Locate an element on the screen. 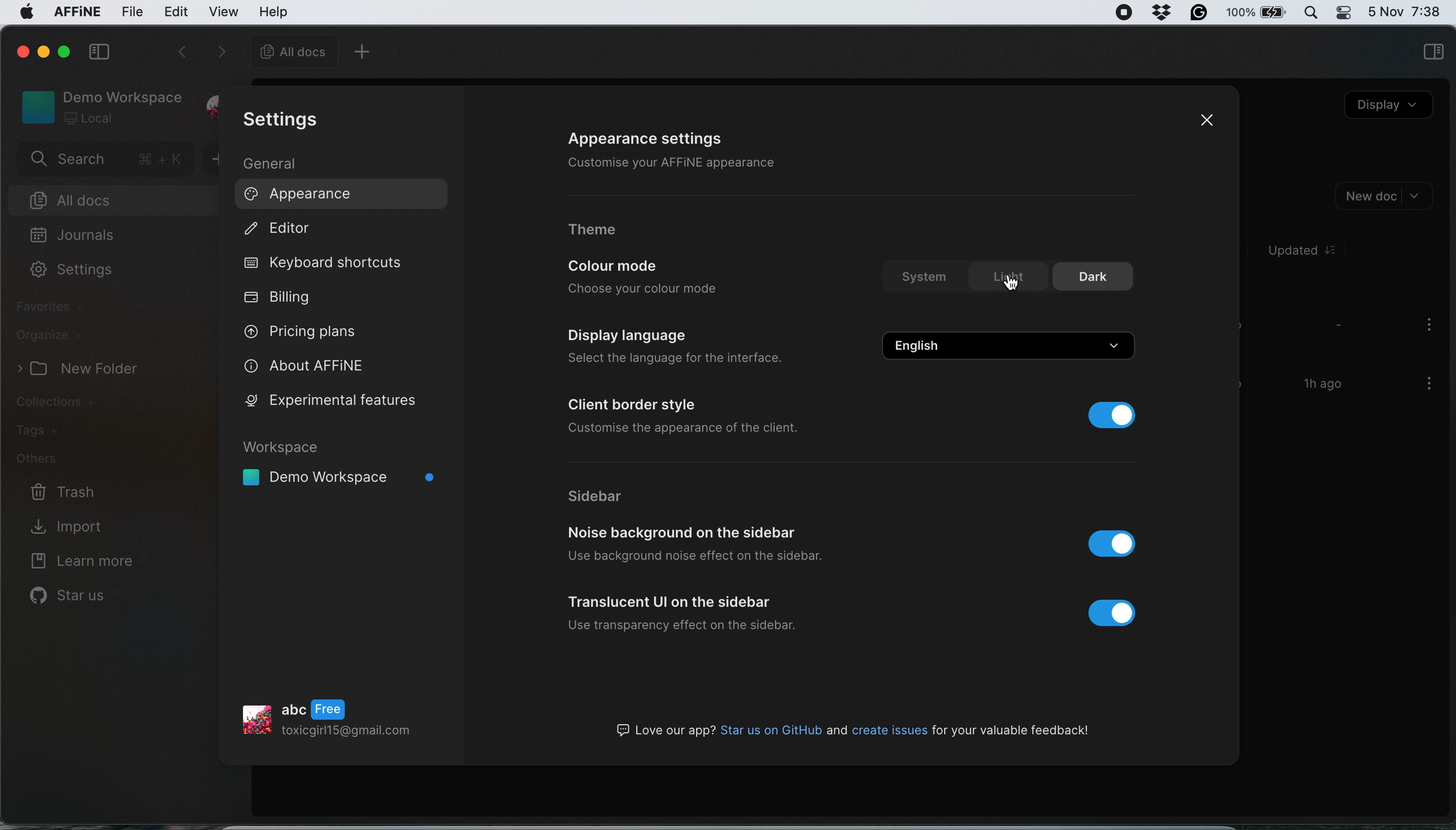 The width and height of the screenshot is (1456, 830). battery is located at coordinates (1258, 13).